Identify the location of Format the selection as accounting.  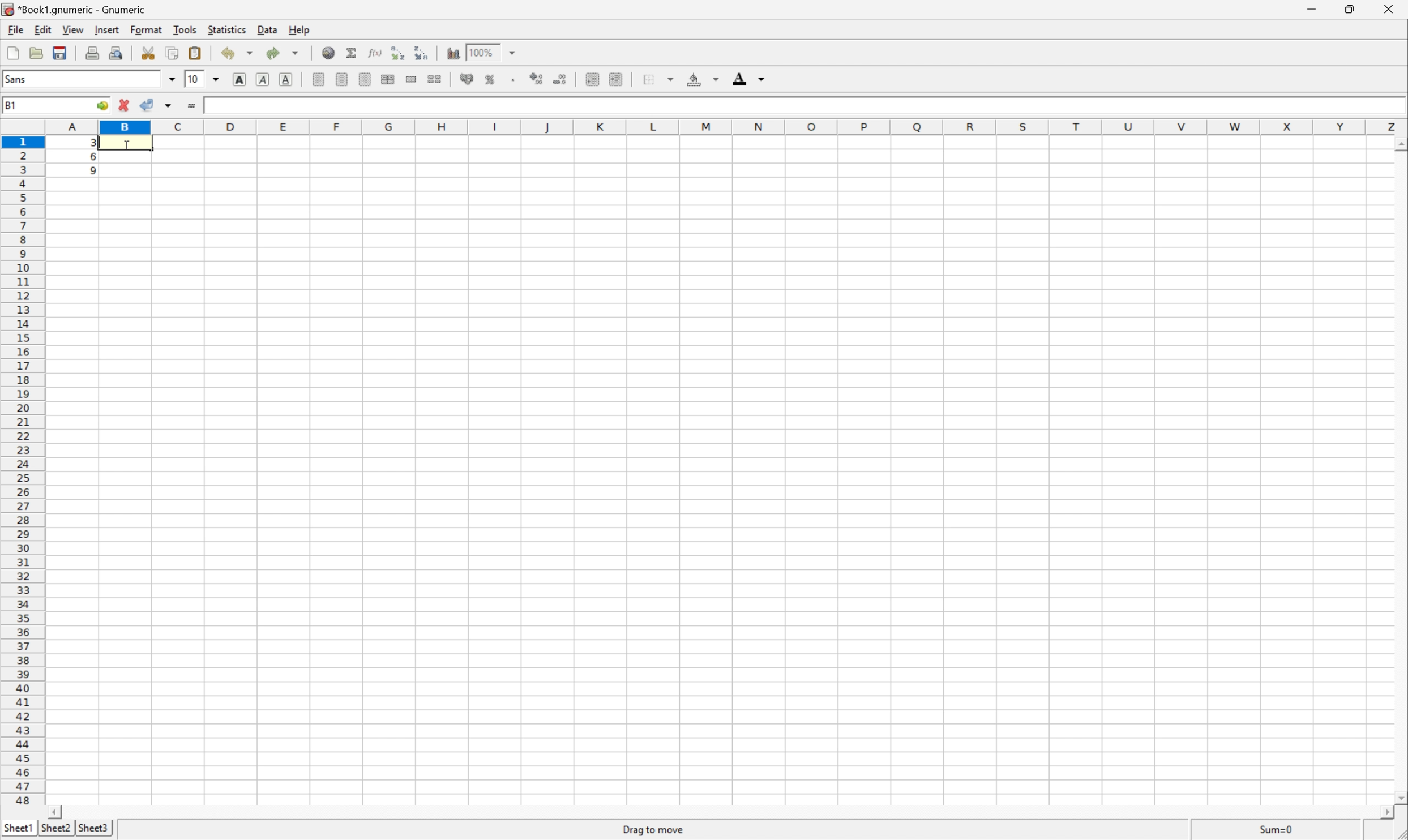
(467, 78).